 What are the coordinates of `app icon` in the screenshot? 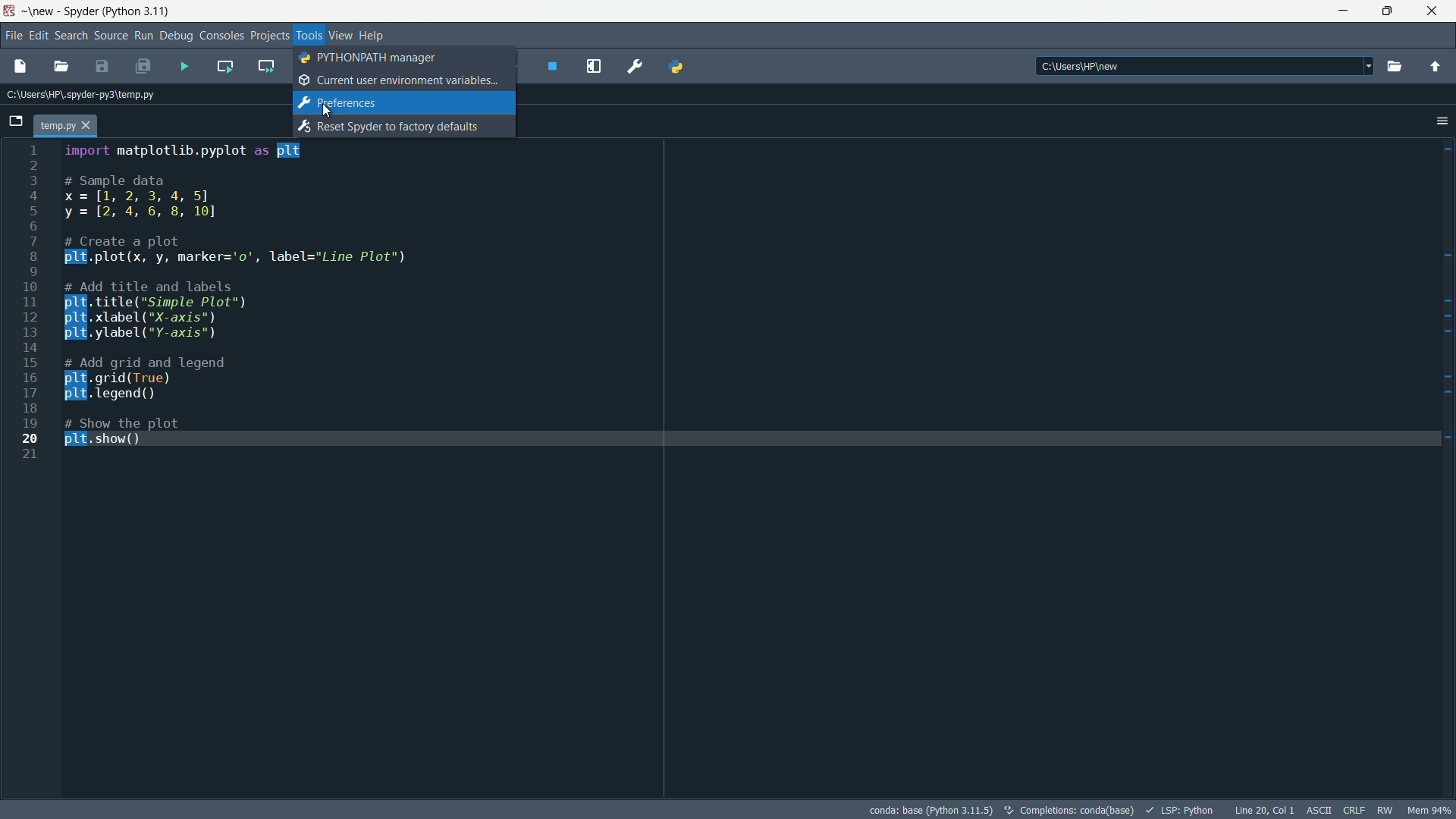 It's located at (11, 11).